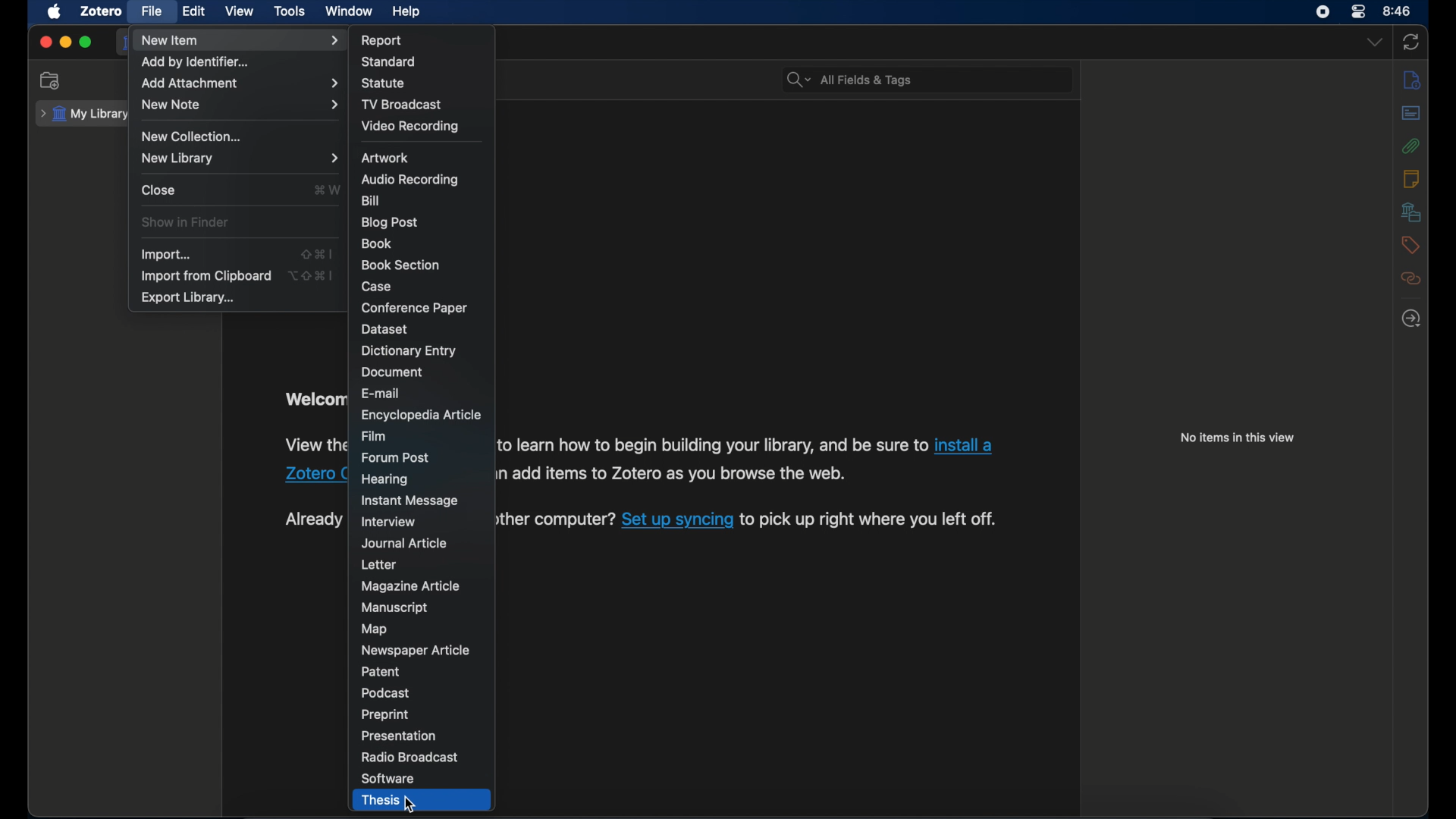  Describe the element at coordinates (409, 180) in the screenshot. I see `audio recording` at that location.